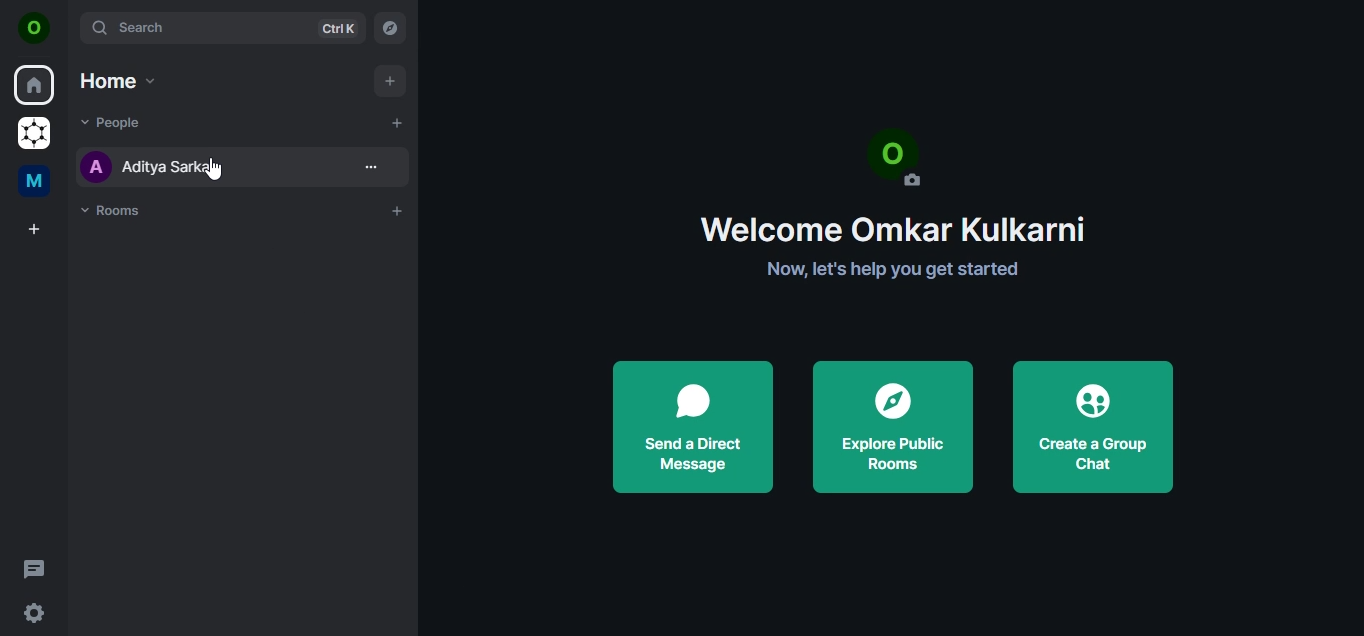  What do you see at coordinates (35, 83) in the screenshot?
I see `home` at bounding box center [35, 83].